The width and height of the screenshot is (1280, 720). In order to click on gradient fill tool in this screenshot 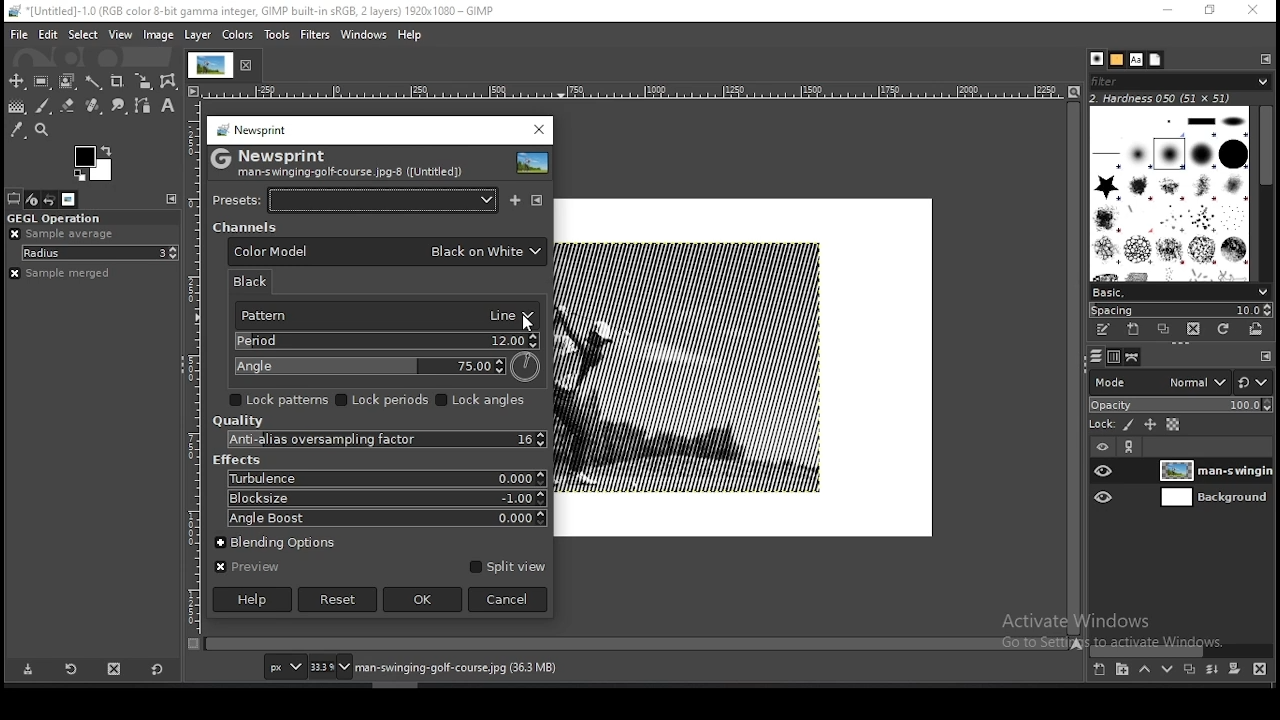, I will do `click(18, 107)`.